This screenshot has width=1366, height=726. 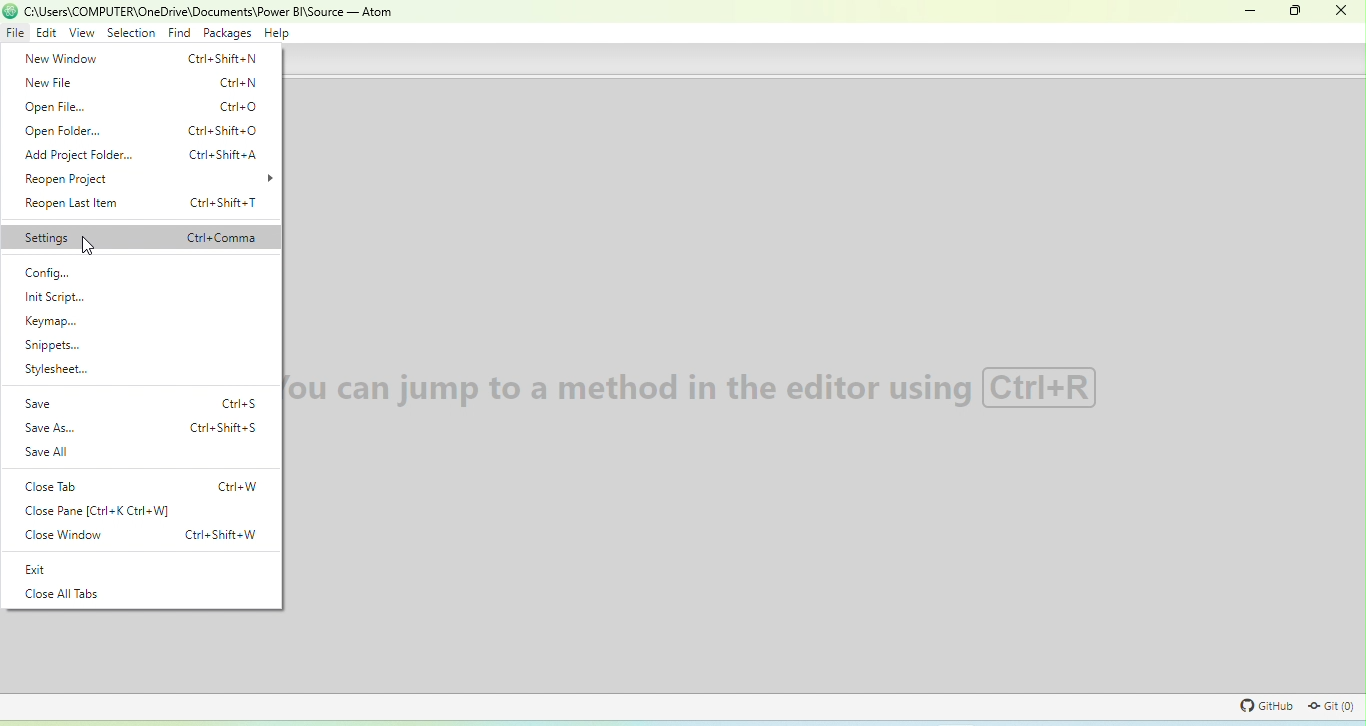 I want to click on maximize or restore, so click(x=1294, y=12).